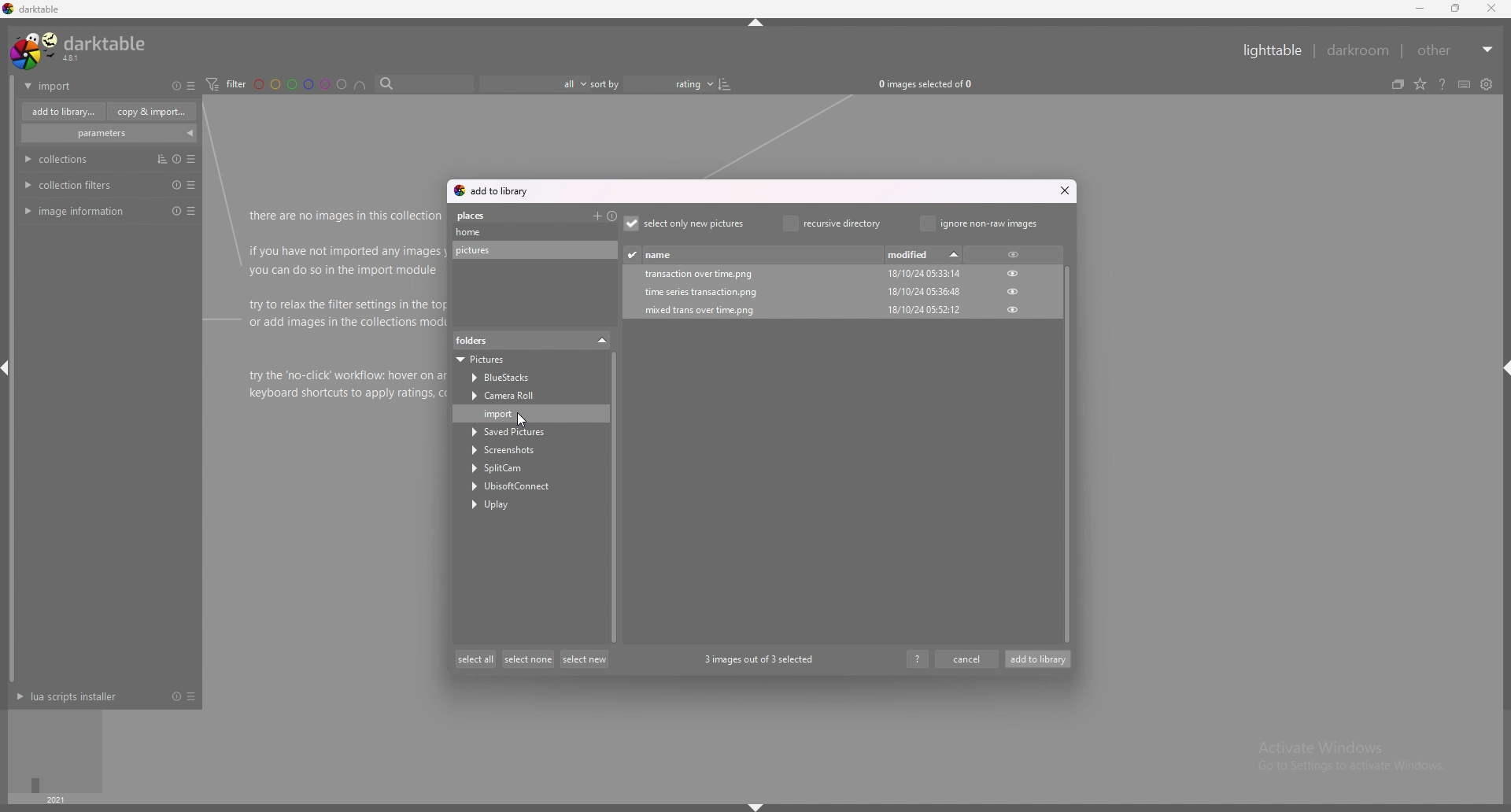 The image size is (1511, 812). I want to click on 18/10/24 05:33:14, so click(925, 273).